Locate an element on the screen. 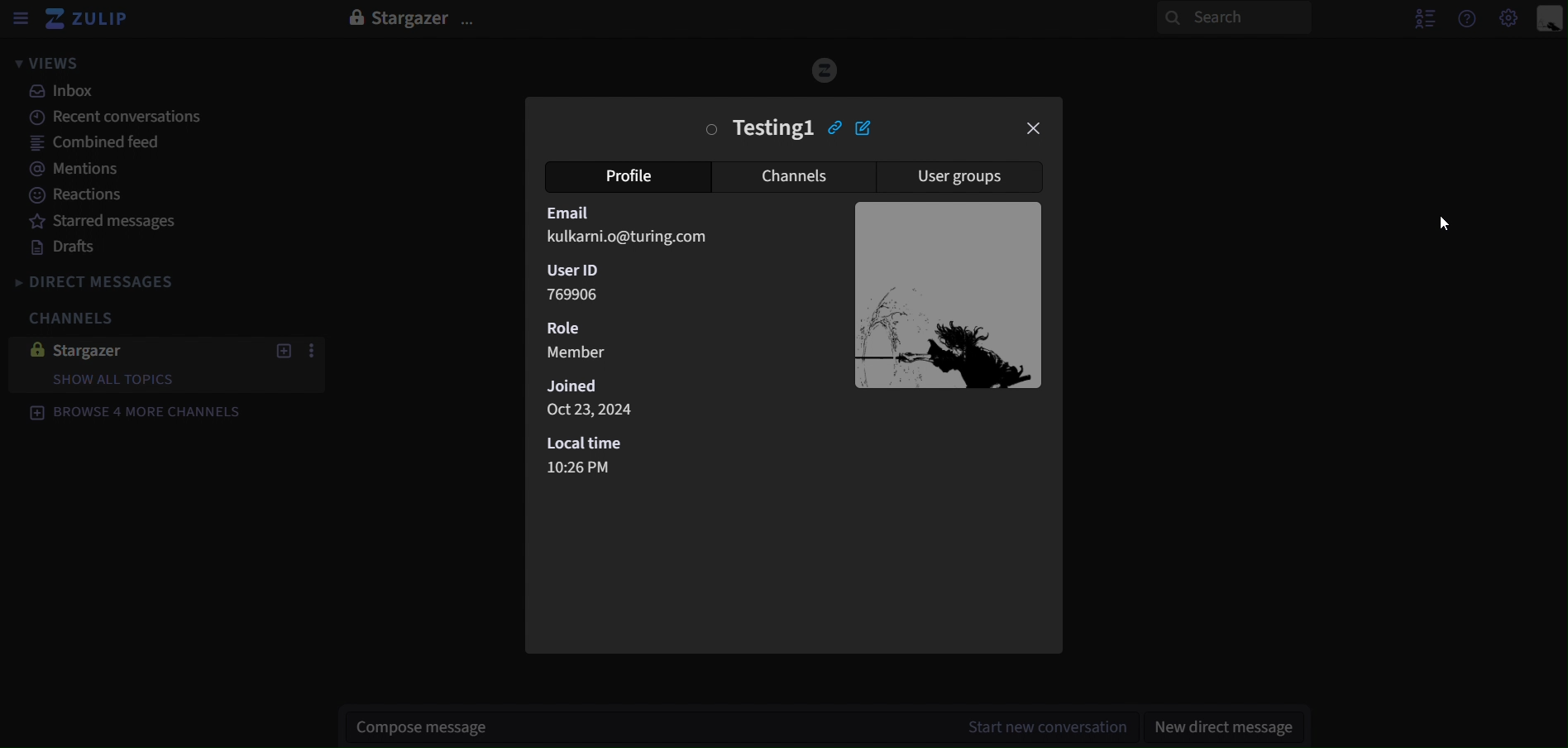 The height and width of the screenshot is (748, 1568). Role Member is located at coordinates (576, 340).